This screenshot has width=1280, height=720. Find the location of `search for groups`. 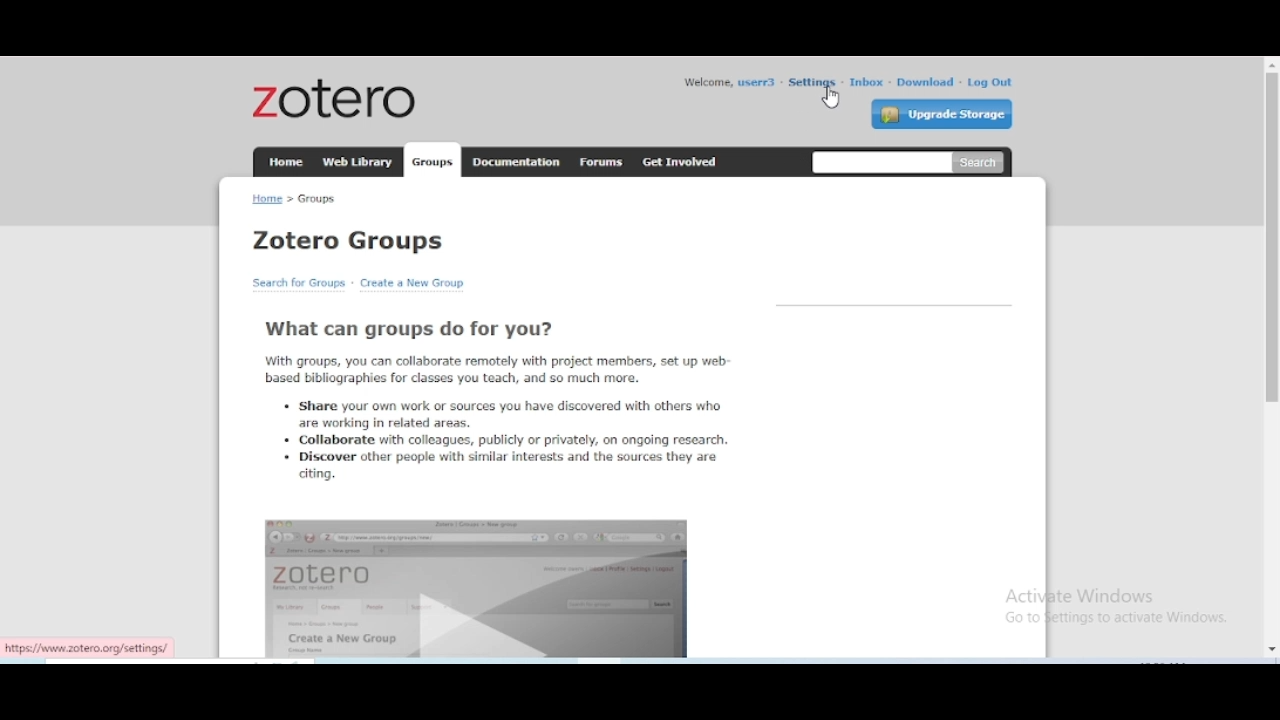

search for groups is located at coordinates (300, 283).